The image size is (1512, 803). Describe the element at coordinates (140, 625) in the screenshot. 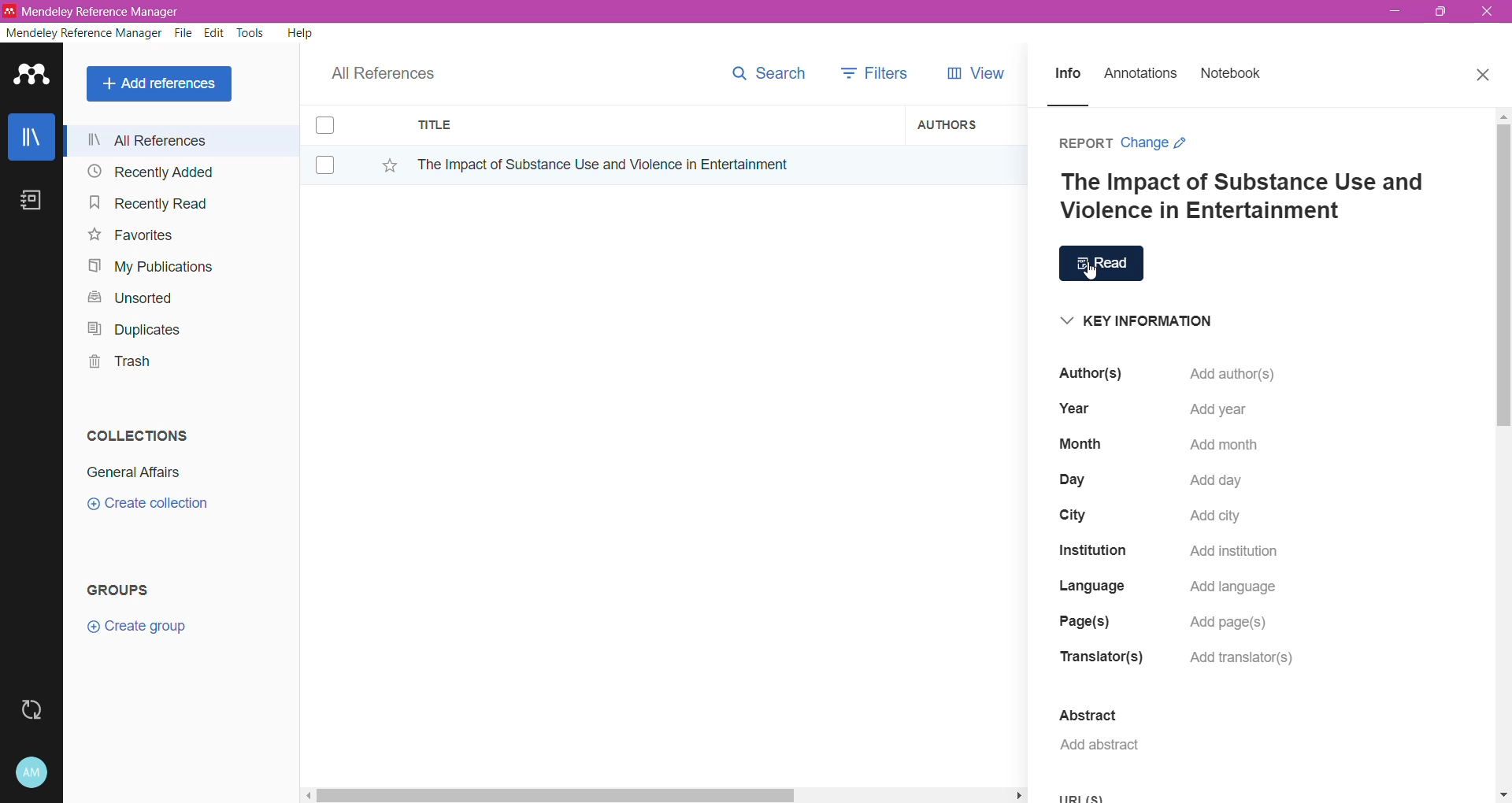

I see `Click to Create Group` at that location.